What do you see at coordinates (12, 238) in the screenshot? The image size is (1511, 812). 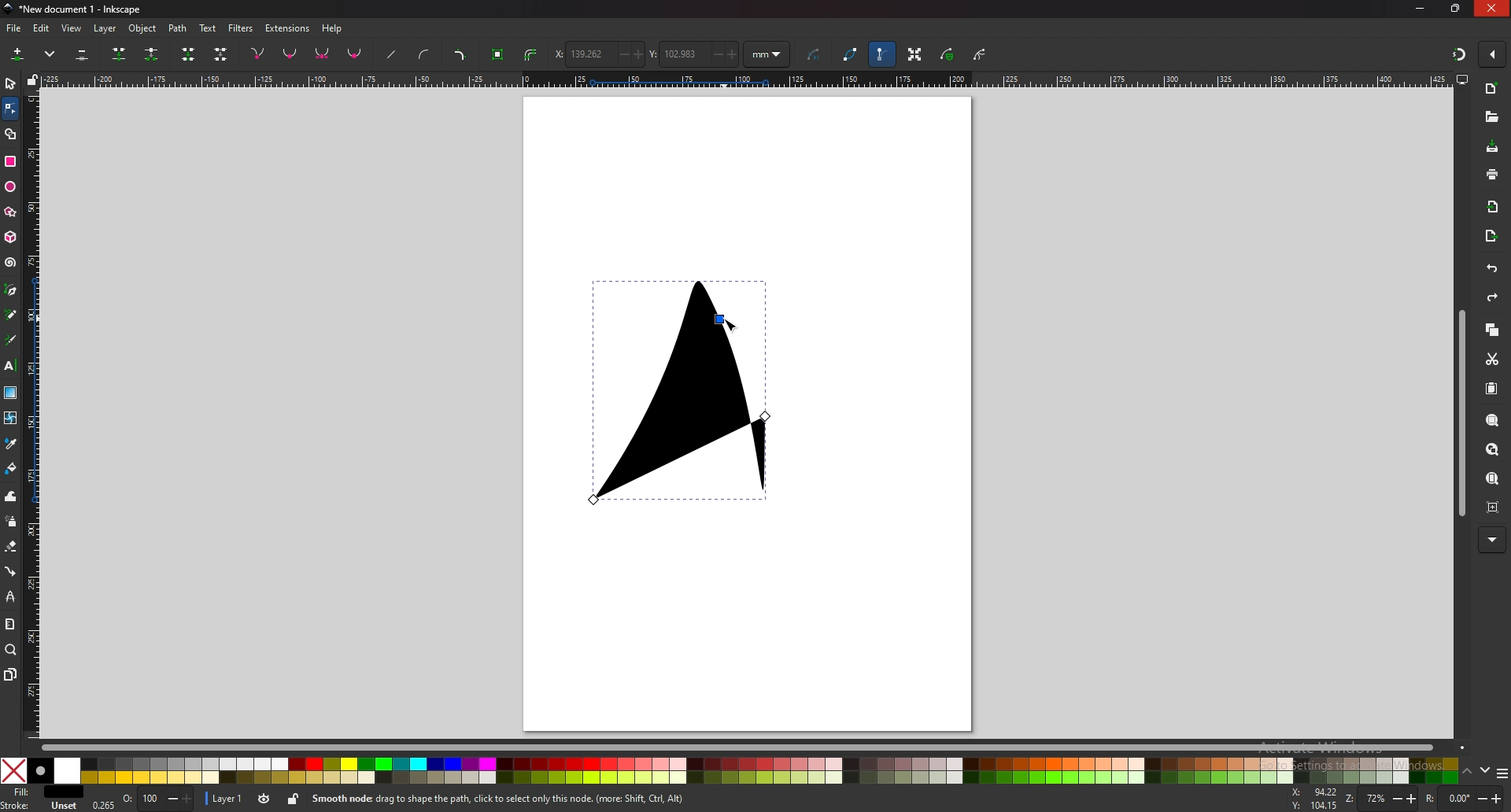 I see `3d box` at bounding box center [12, 238].